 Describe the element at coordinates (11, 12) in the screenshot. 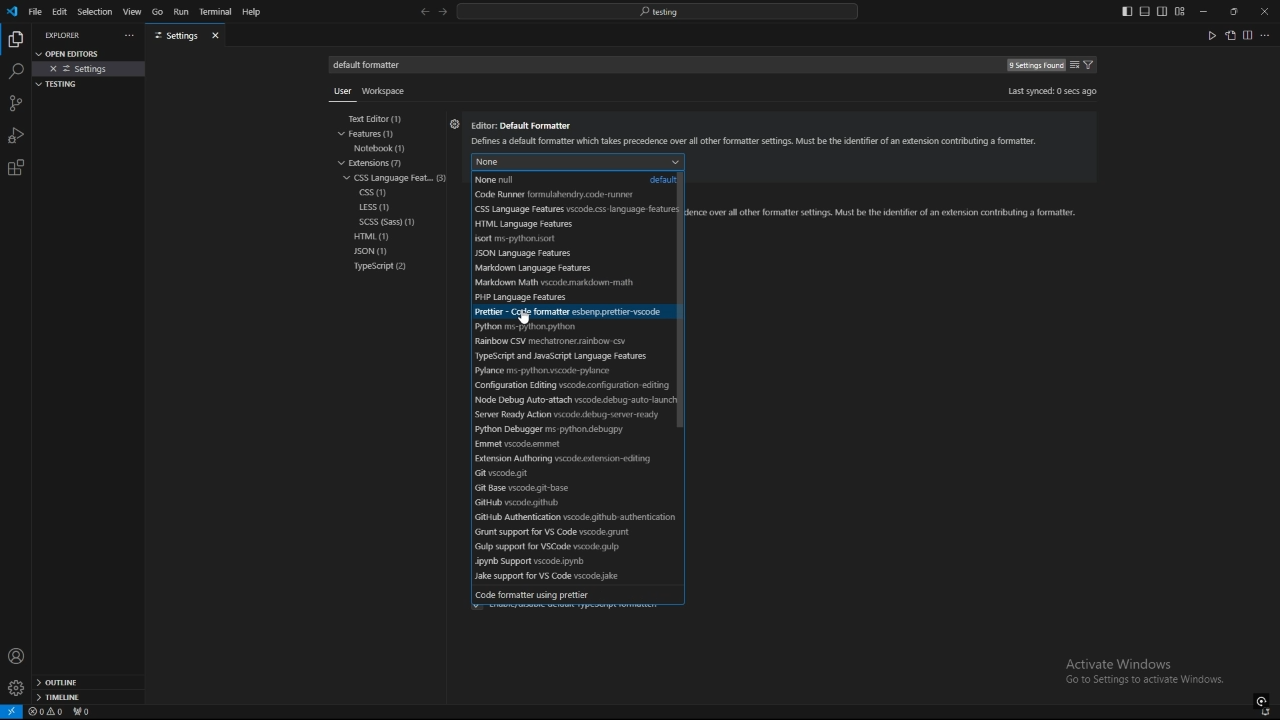

I see `vscode` at that location.